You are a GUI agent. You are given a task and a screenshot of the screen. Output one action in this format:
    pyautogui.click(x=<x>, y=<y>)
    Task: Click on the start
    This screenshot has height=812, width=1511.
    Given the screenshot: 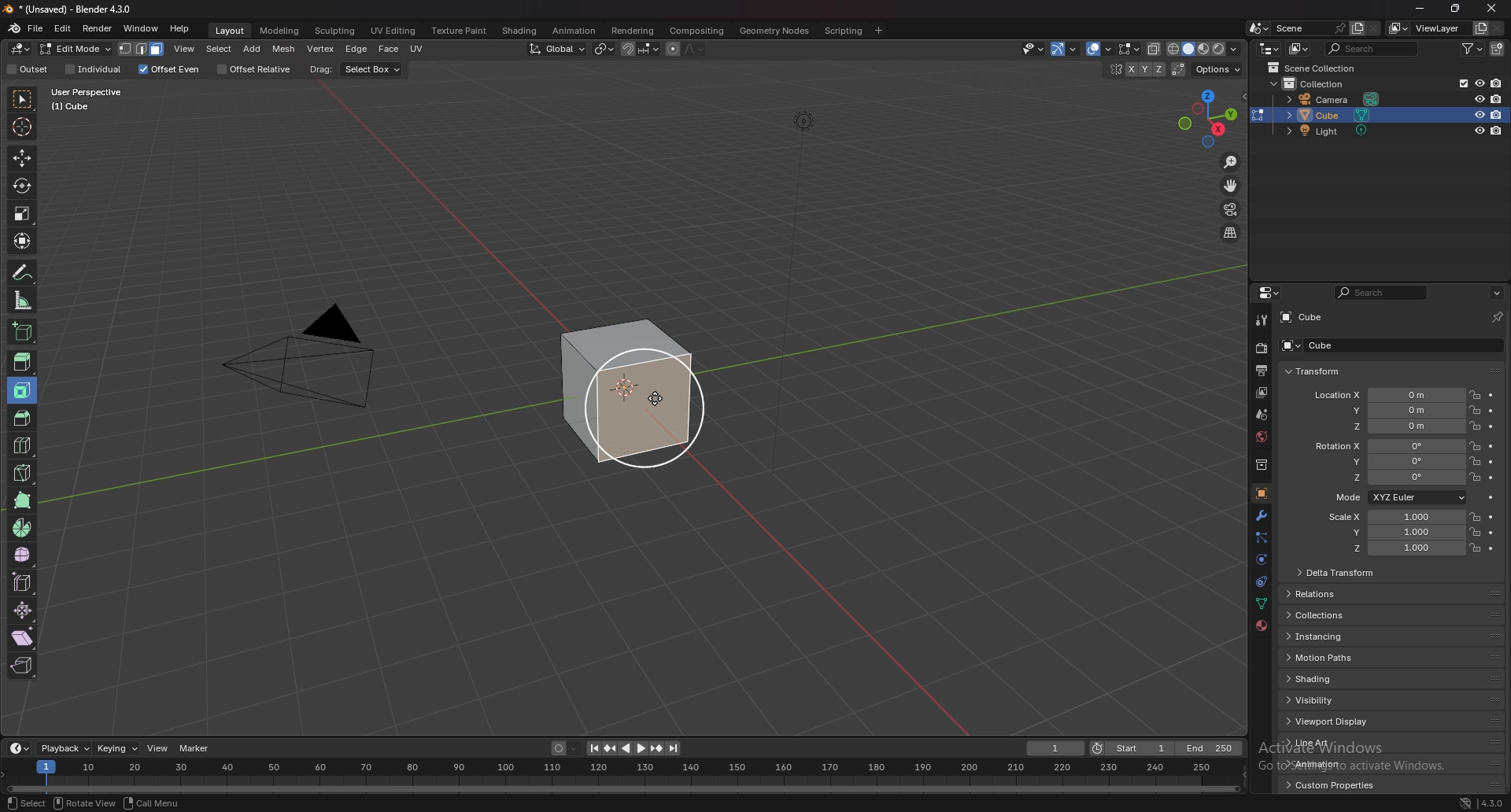 What is the action you would take?
    pyautogui.click(x=1132, y=747)
    